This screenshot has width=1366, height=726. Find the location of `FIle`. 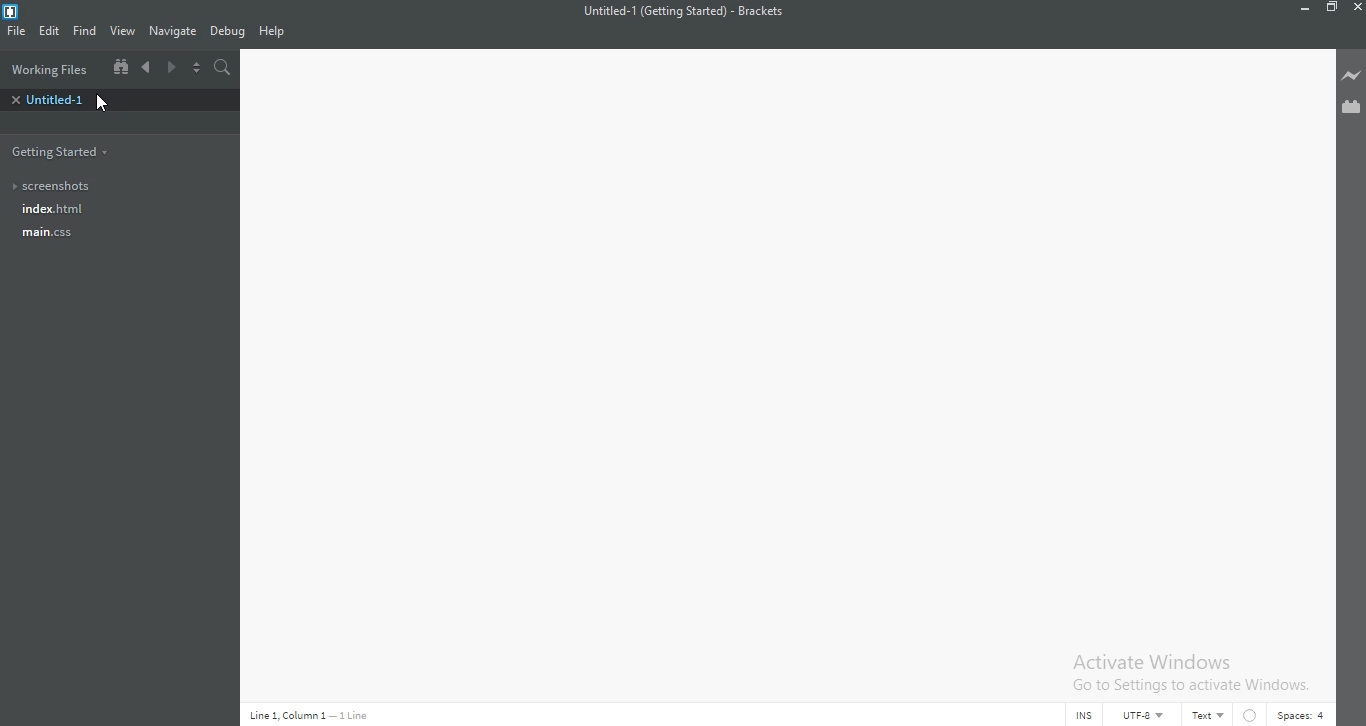

FIle is located at coordinates (14, 31).